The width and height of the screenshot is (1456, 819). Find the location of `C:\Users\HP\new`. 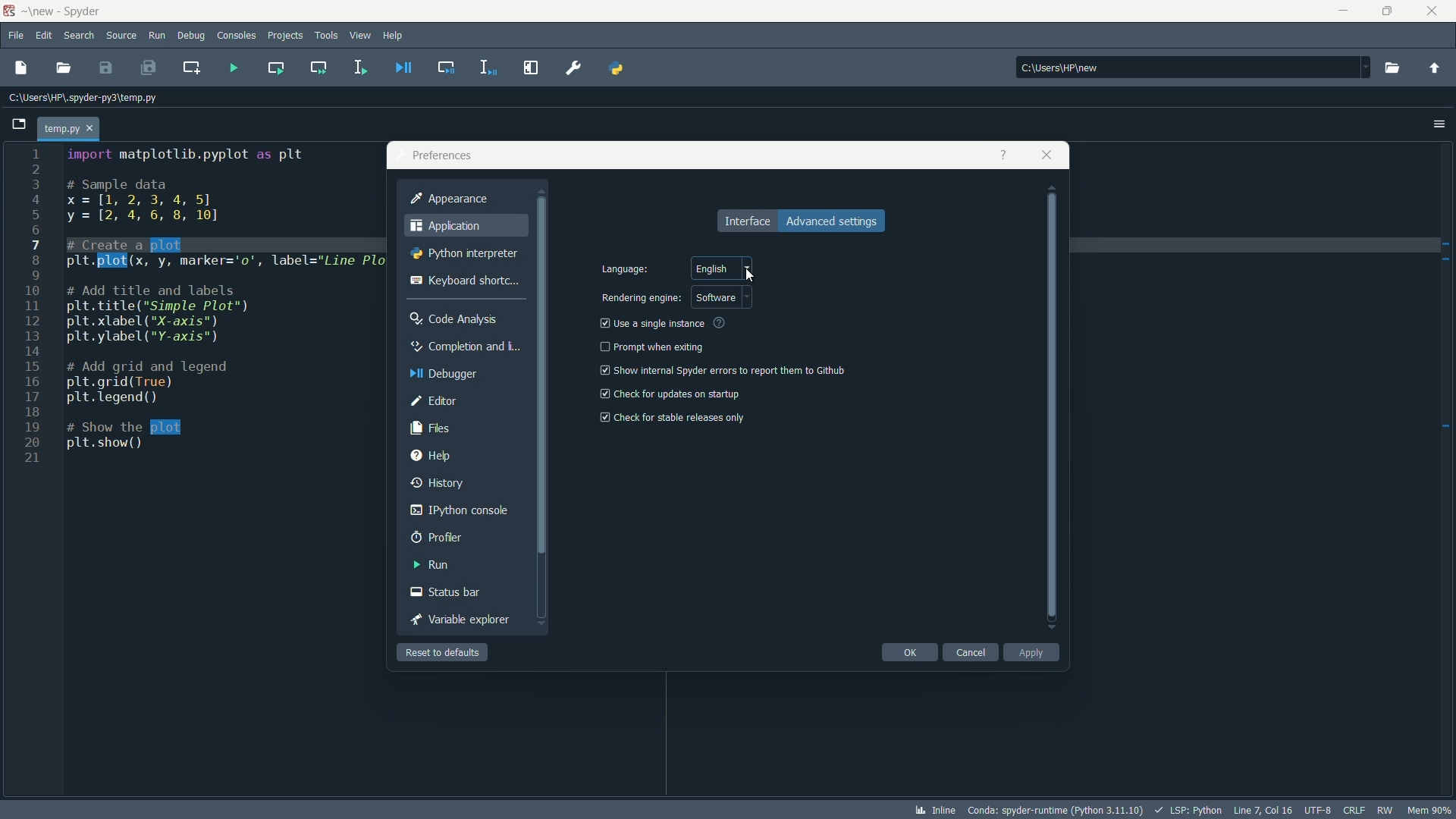

C:\Users\HP\new is located at coordinates (1065, 67).